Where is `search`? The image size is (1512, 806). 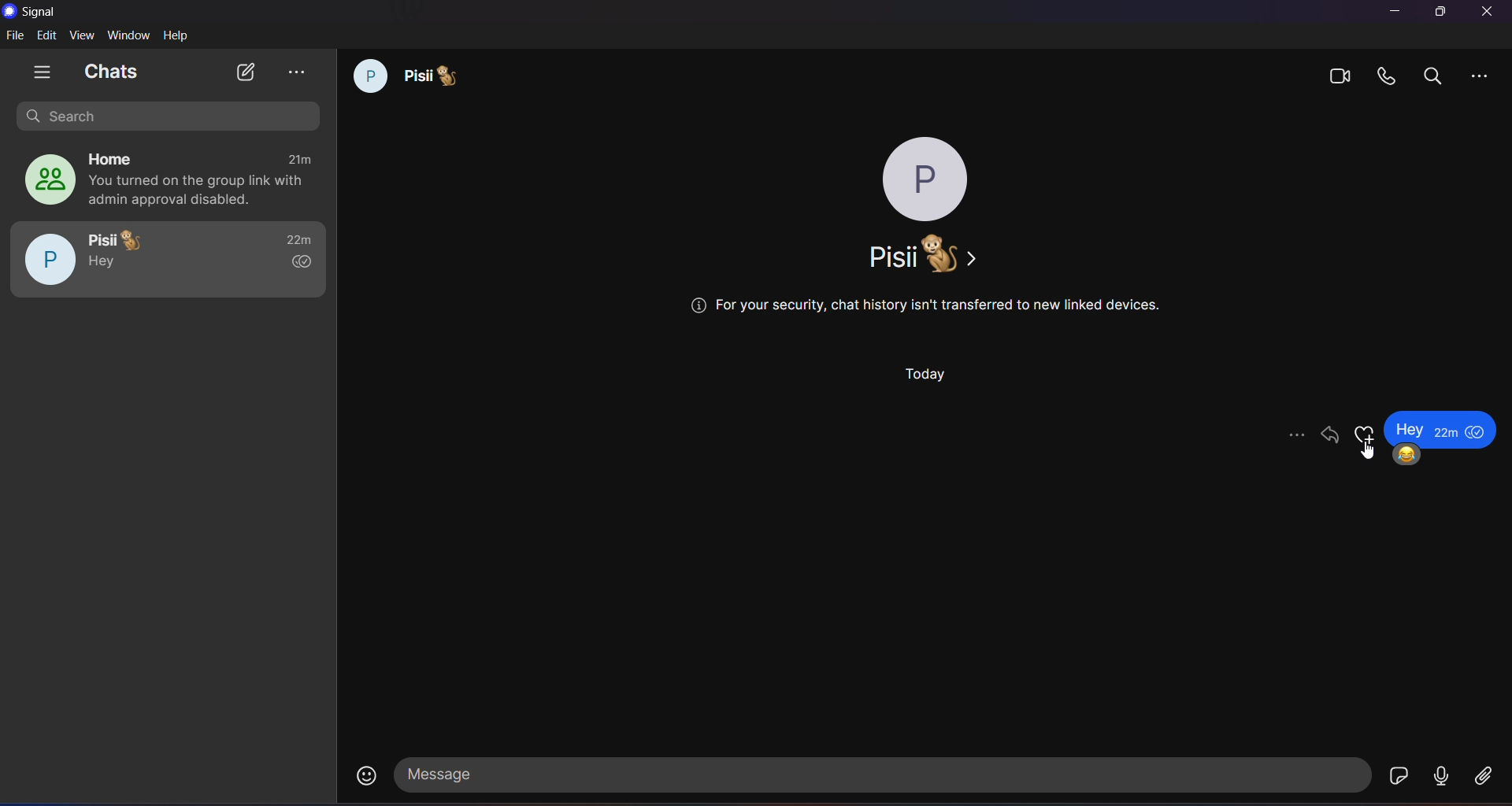
search is located at coordinates (163, 116).